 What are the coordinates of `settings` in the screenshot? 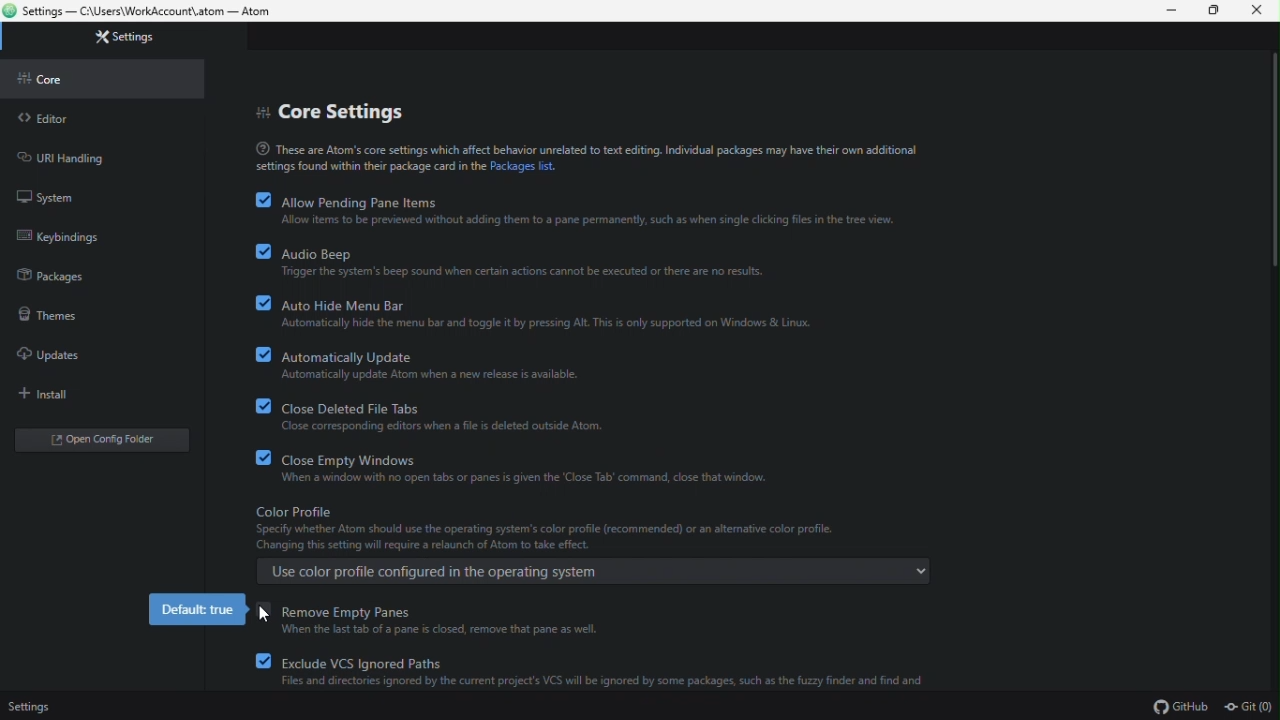 It's located at (32, 703).